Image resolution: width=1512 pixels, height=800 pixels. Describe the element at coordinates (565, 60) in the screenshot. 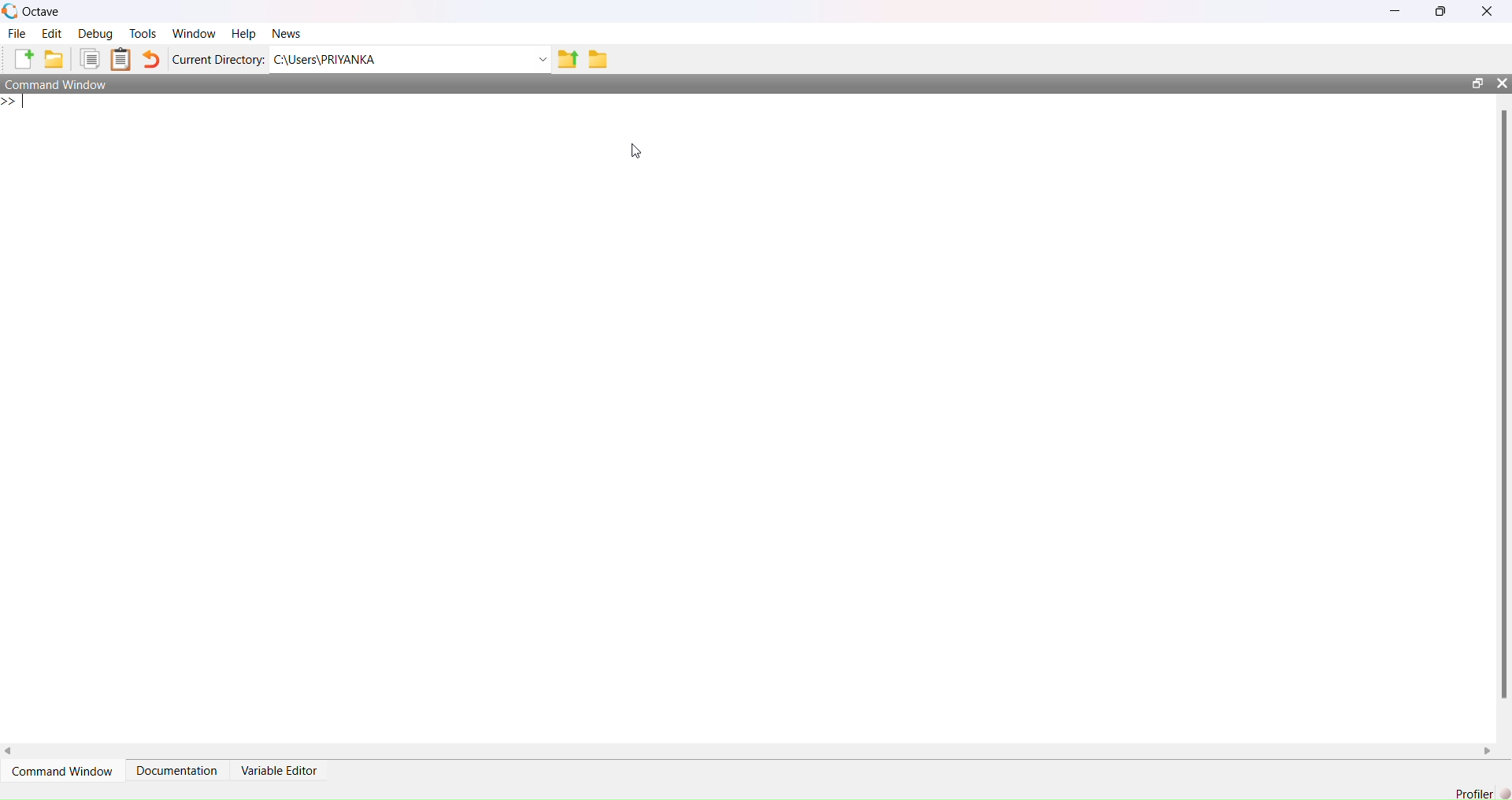

I see `One directory up` at that location.